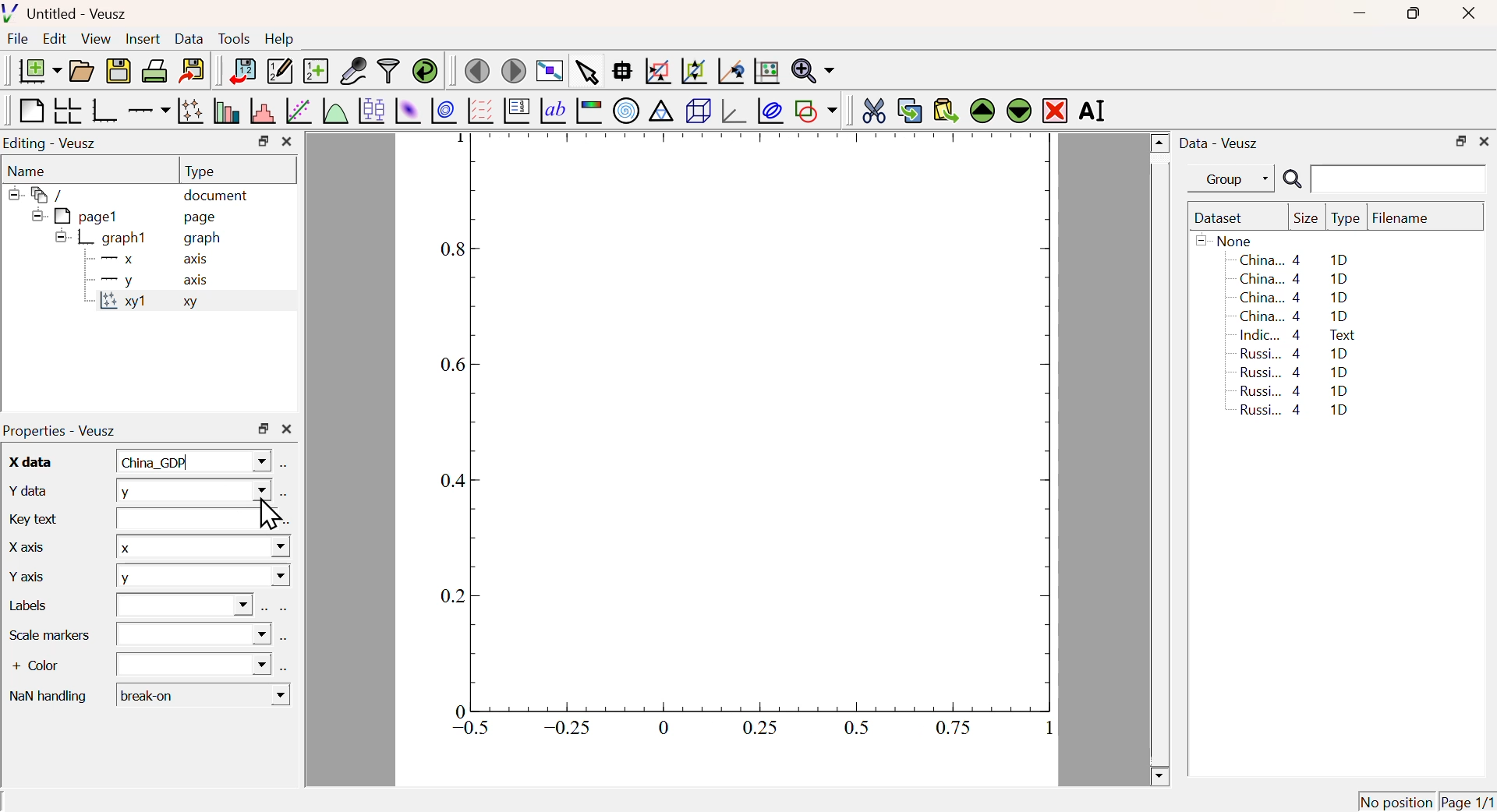 The width and height of the screenshot is (1497, 812). Describe the element at coordinates (622, 70) in the screenshot. I see `Read Data points on graph` at that location.